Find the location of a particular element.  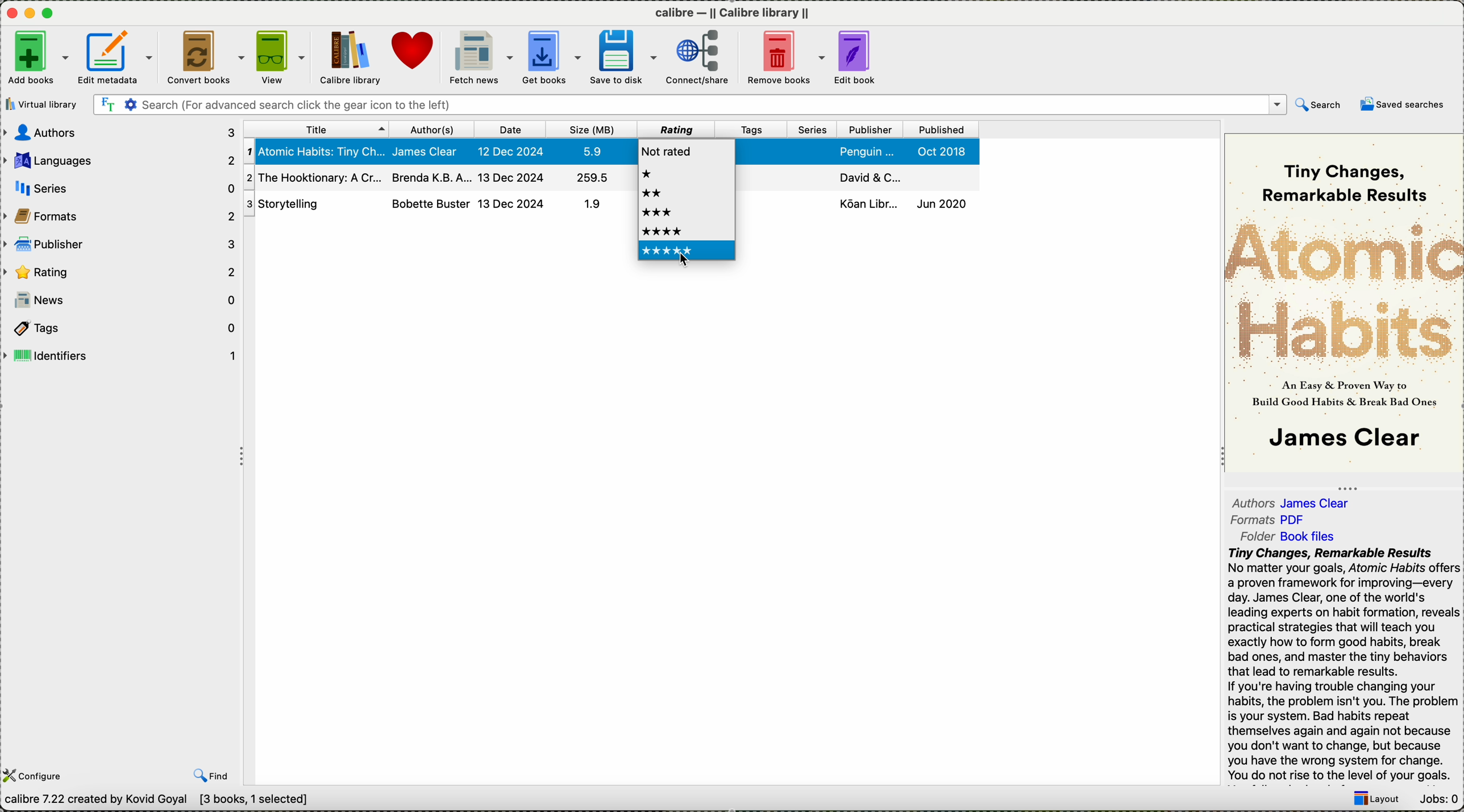

not rated is located at coordinates (669, 148).